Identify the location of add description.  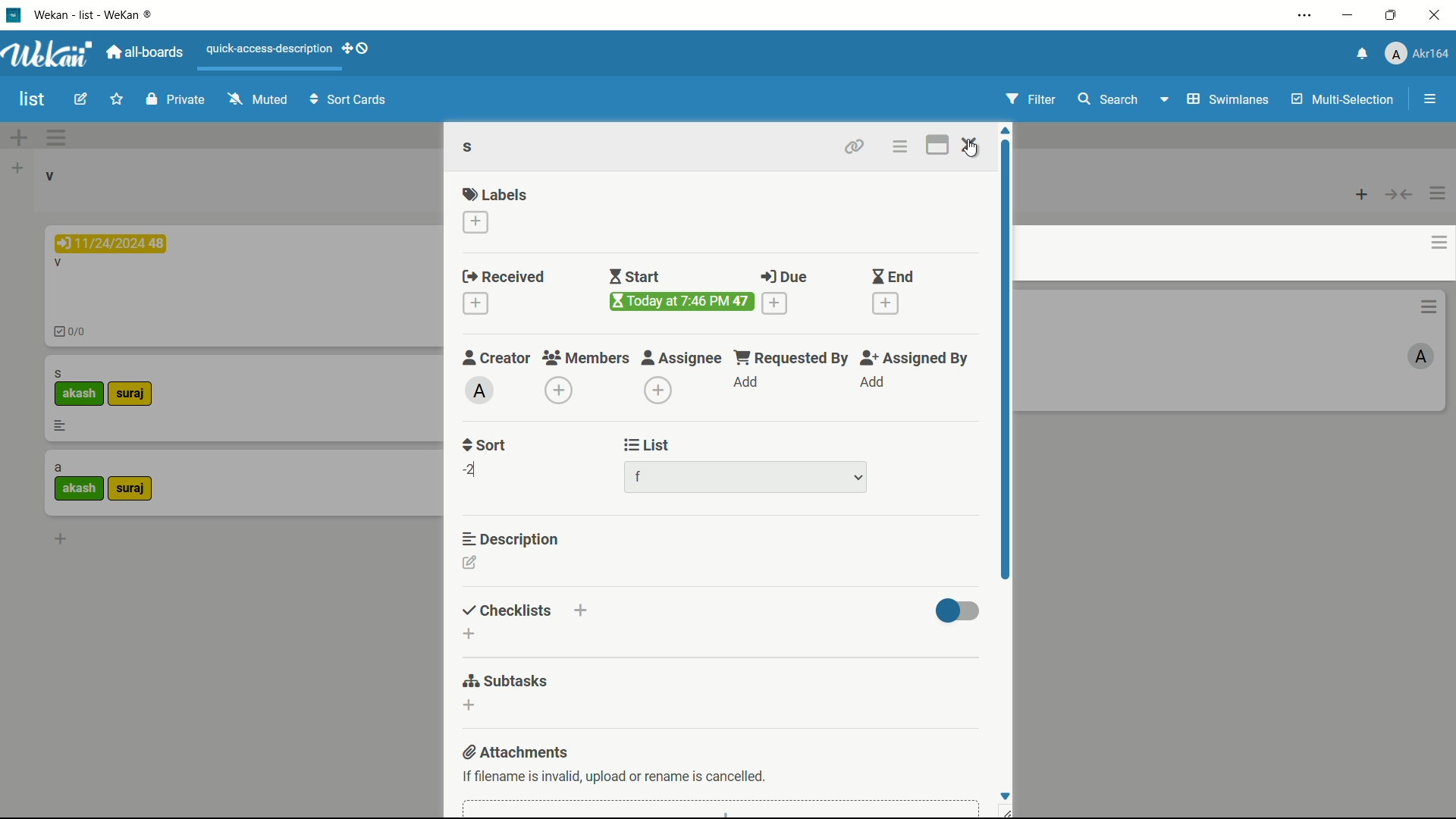
(469, 563).